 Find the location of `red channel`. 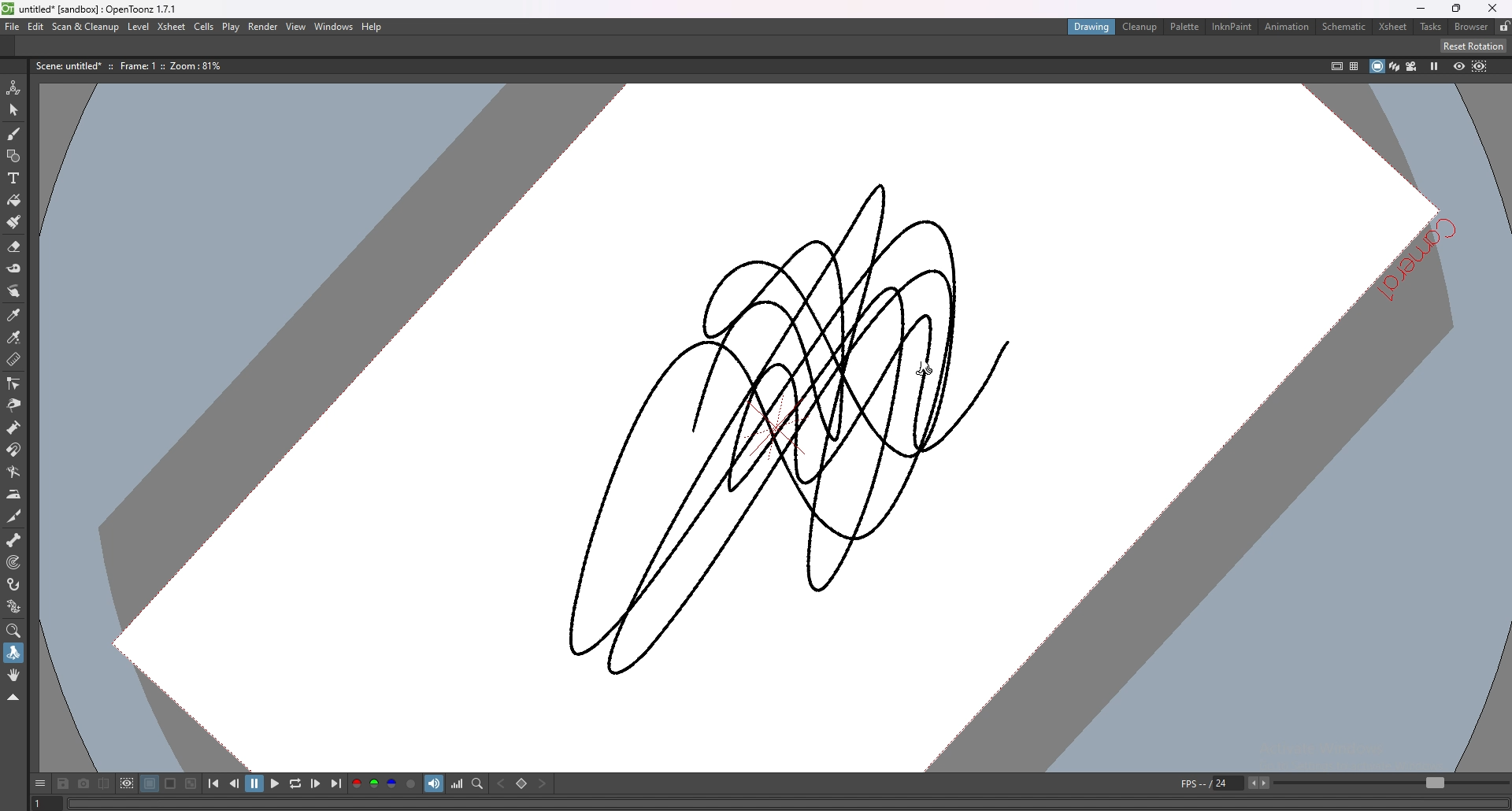

red channel is located at coordinates (356, 784).